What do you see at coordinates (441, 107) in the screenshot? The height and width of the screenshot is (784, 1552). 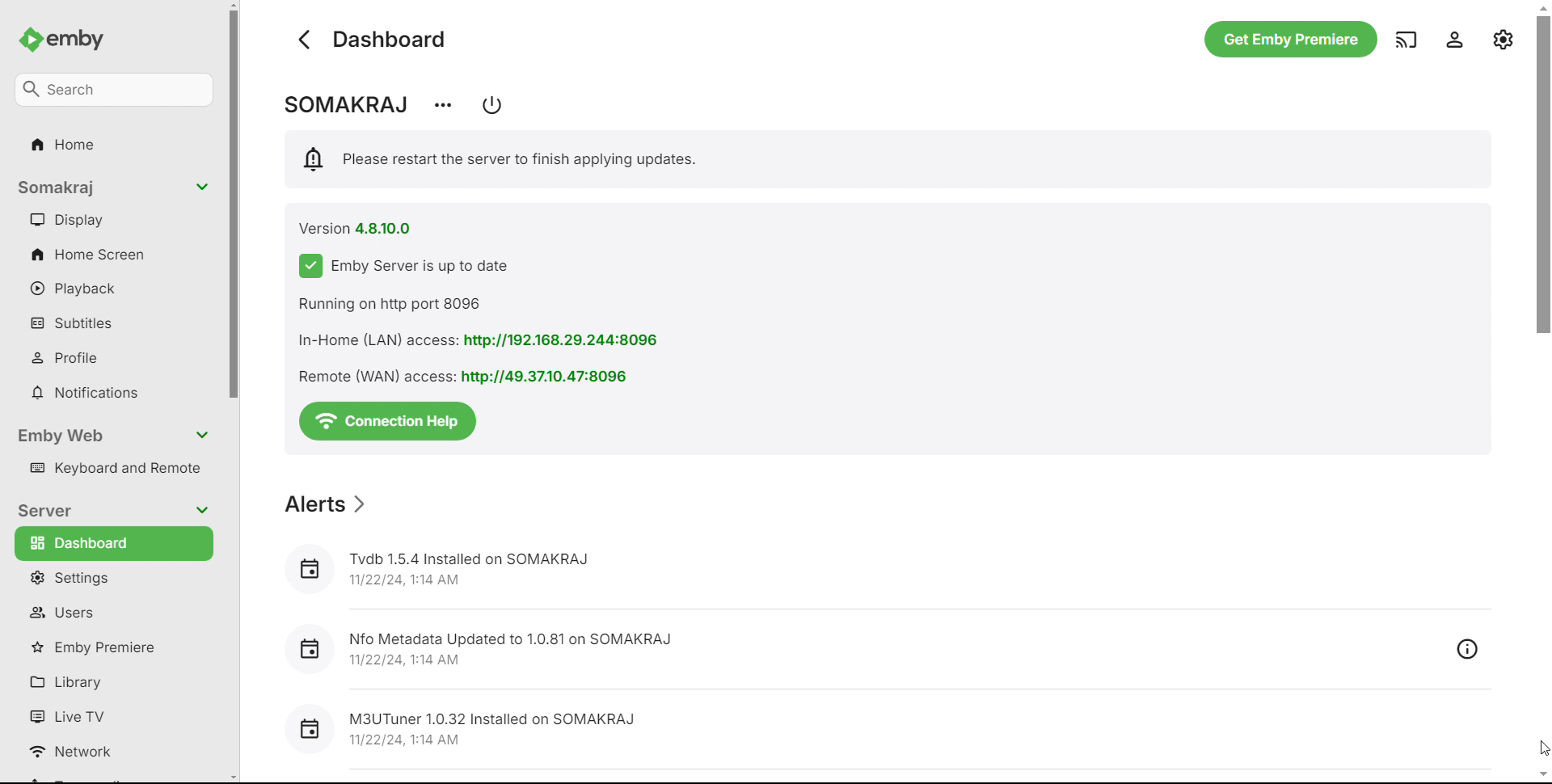 I see `change name and info` at bounding box center [441, 107].